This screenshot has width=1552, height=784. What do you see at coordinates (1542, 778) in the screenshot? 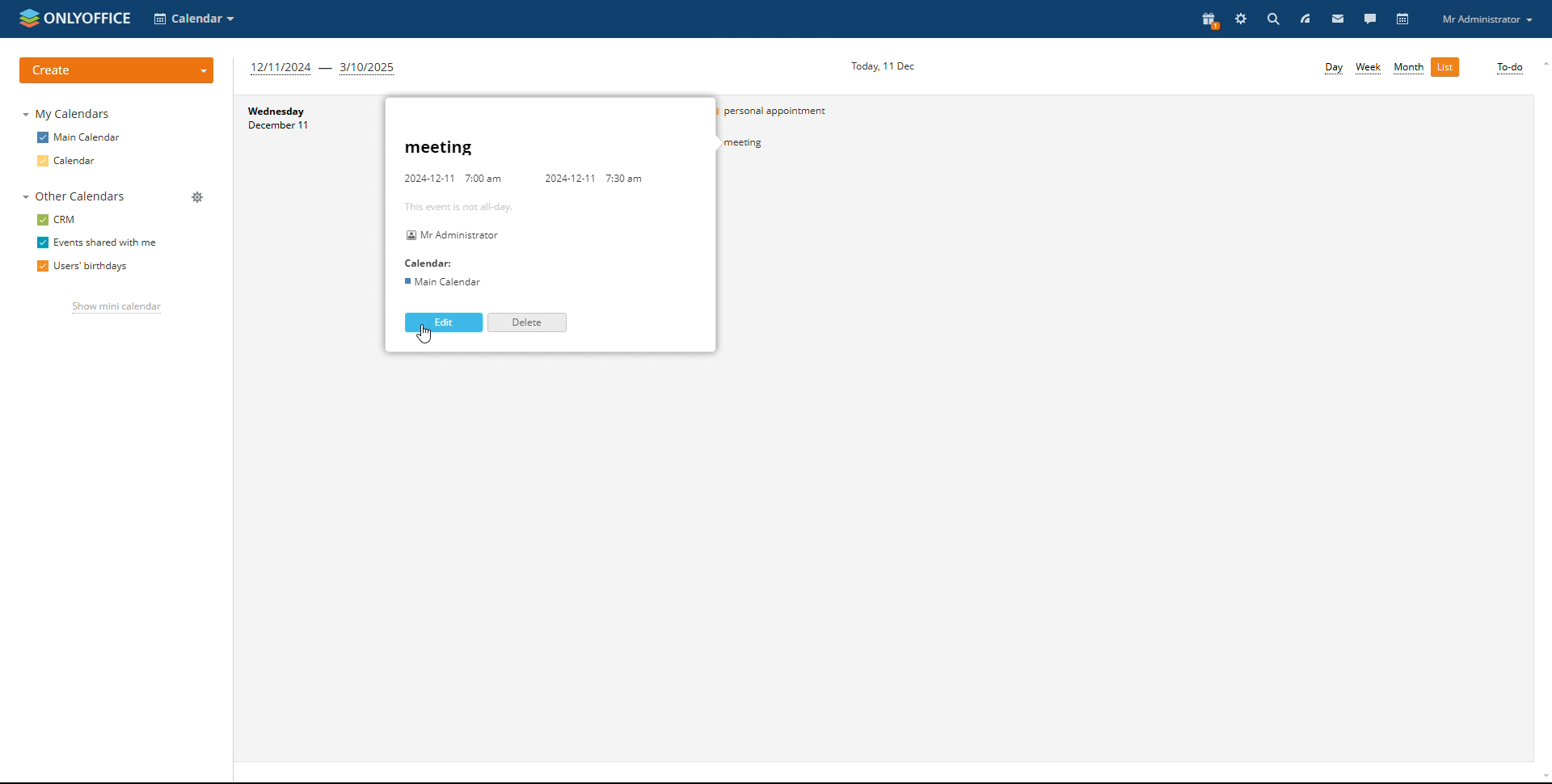
I see `scroll down` at bounding box center [1542, 778].